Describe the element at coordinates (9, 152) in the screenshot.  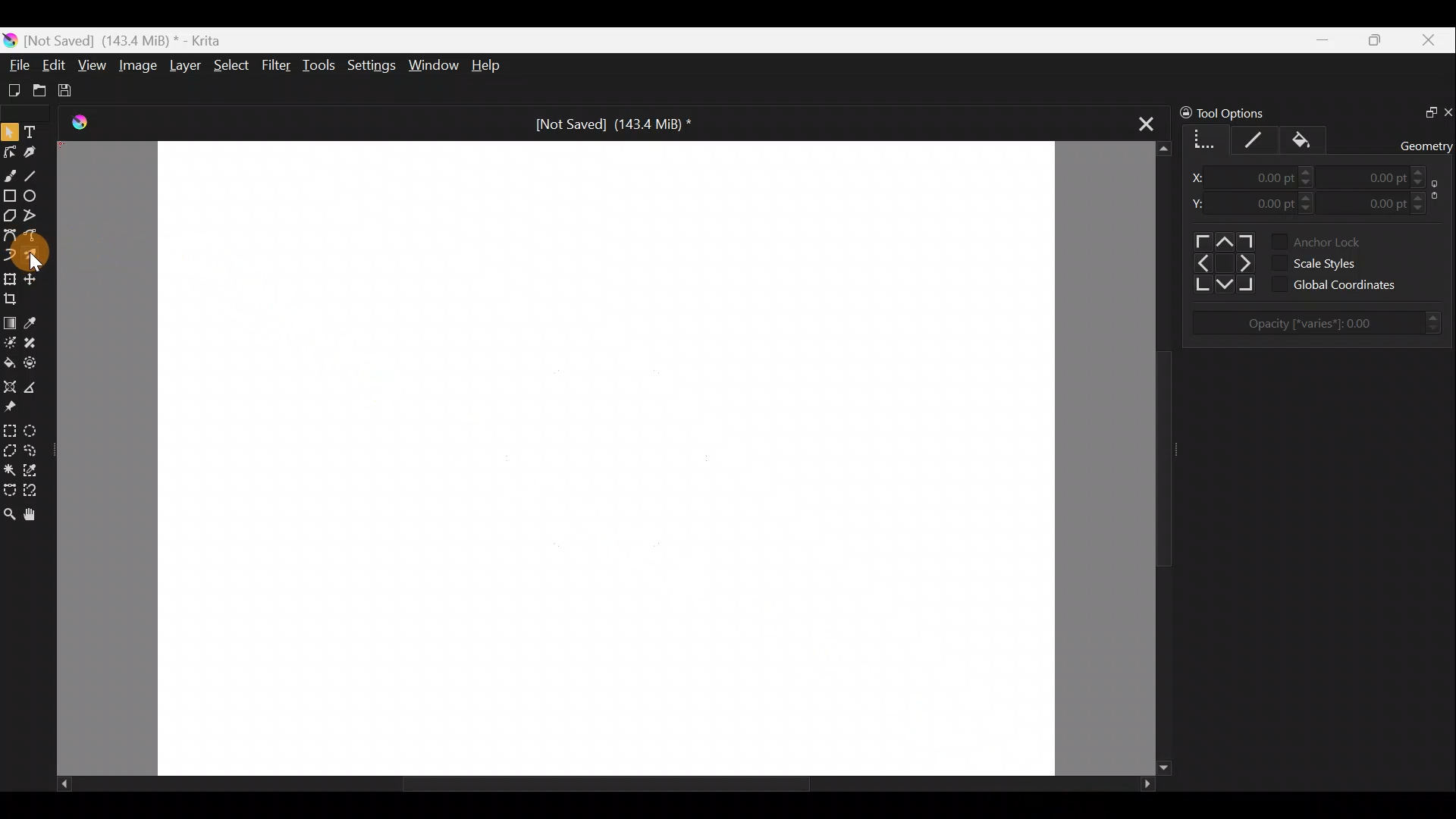
I see `Edit shapes tool` at that location.